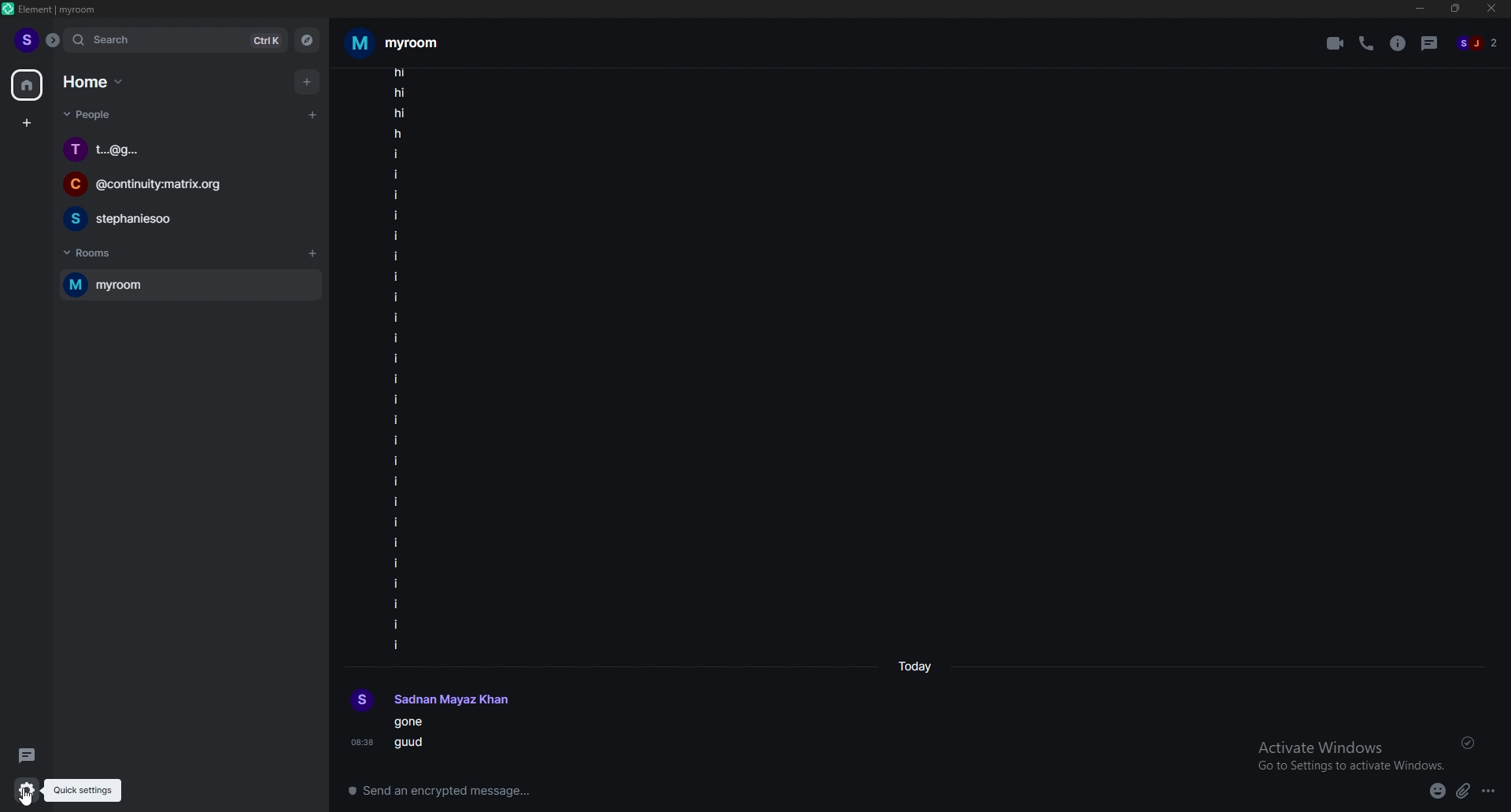 This screenshot has width=1511, height=812. Describe the element at coordinates (431, 701) in the screenshot. I see `profile` at that location.